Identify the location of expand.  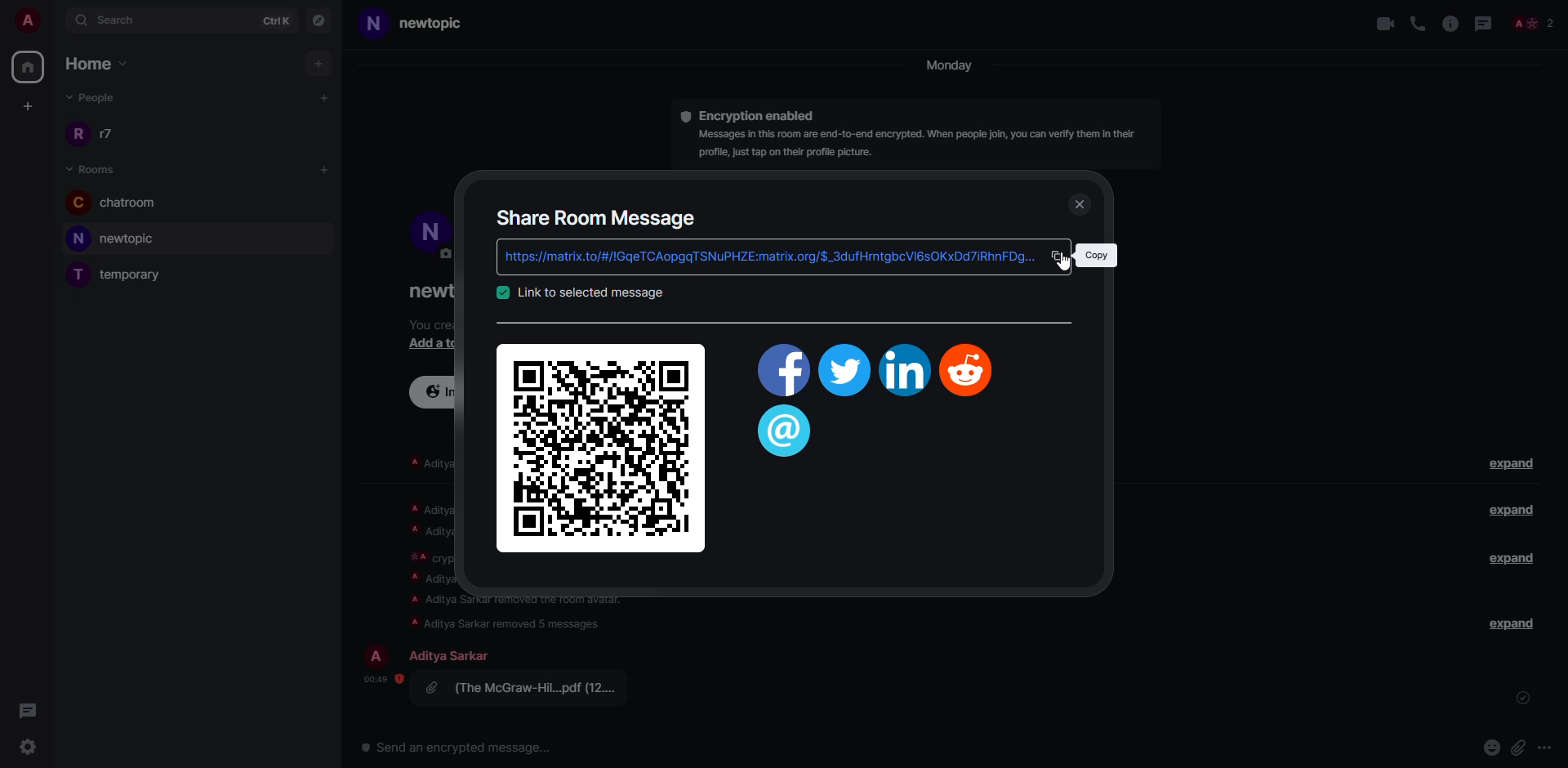
(1514, 623).